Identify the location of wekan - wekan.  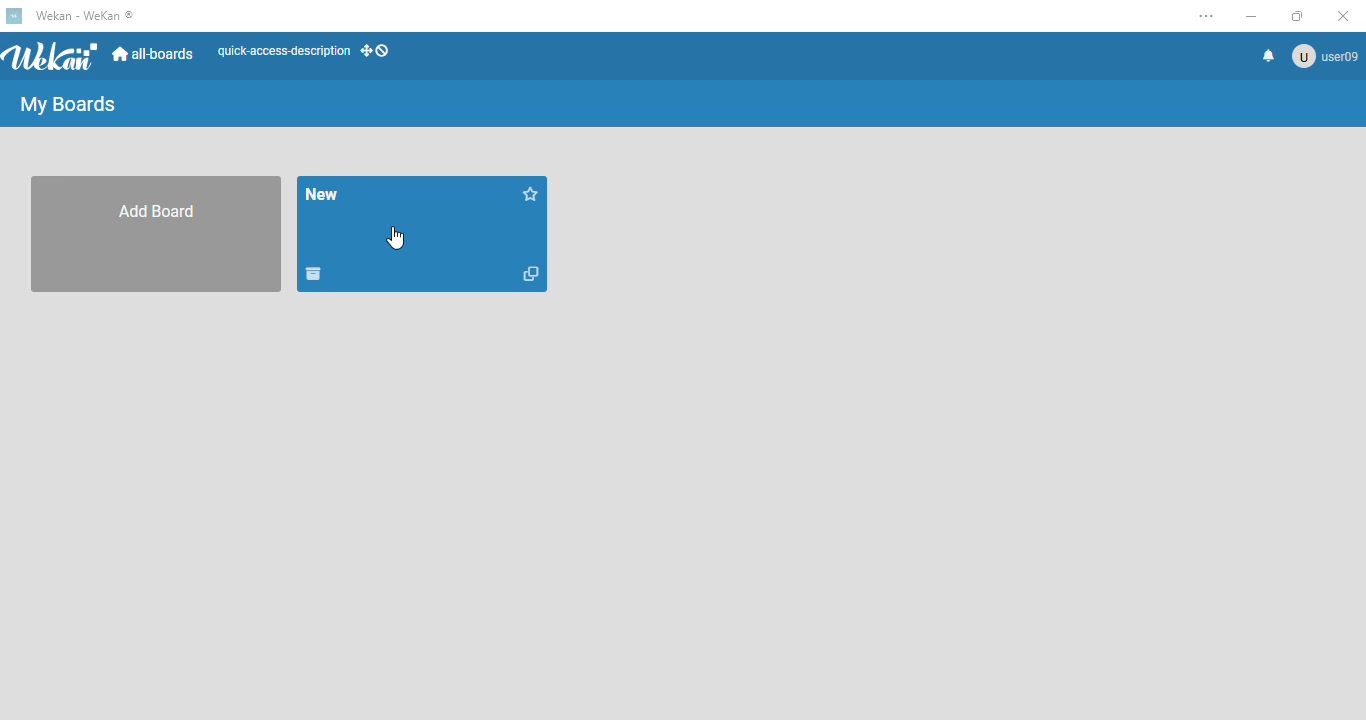
(85, 16).